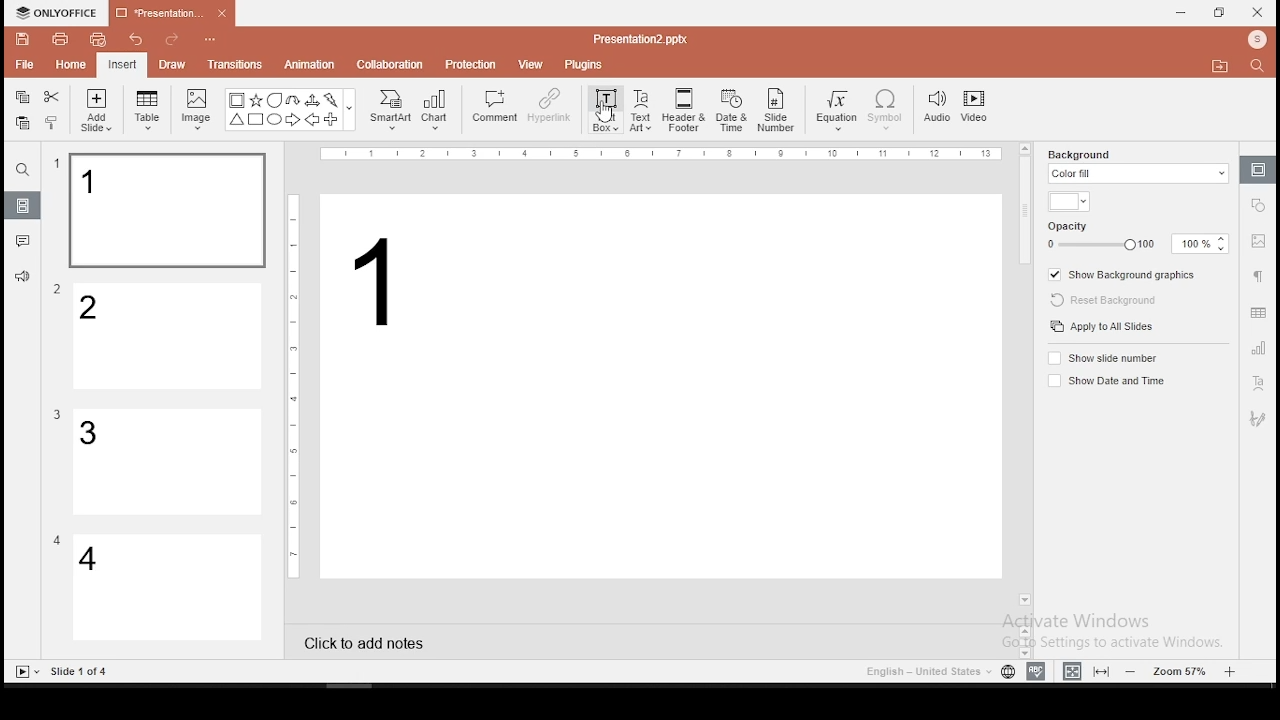 This screenshot has width=1280, height=720. I want to click on spell check, so click(1036, 671).